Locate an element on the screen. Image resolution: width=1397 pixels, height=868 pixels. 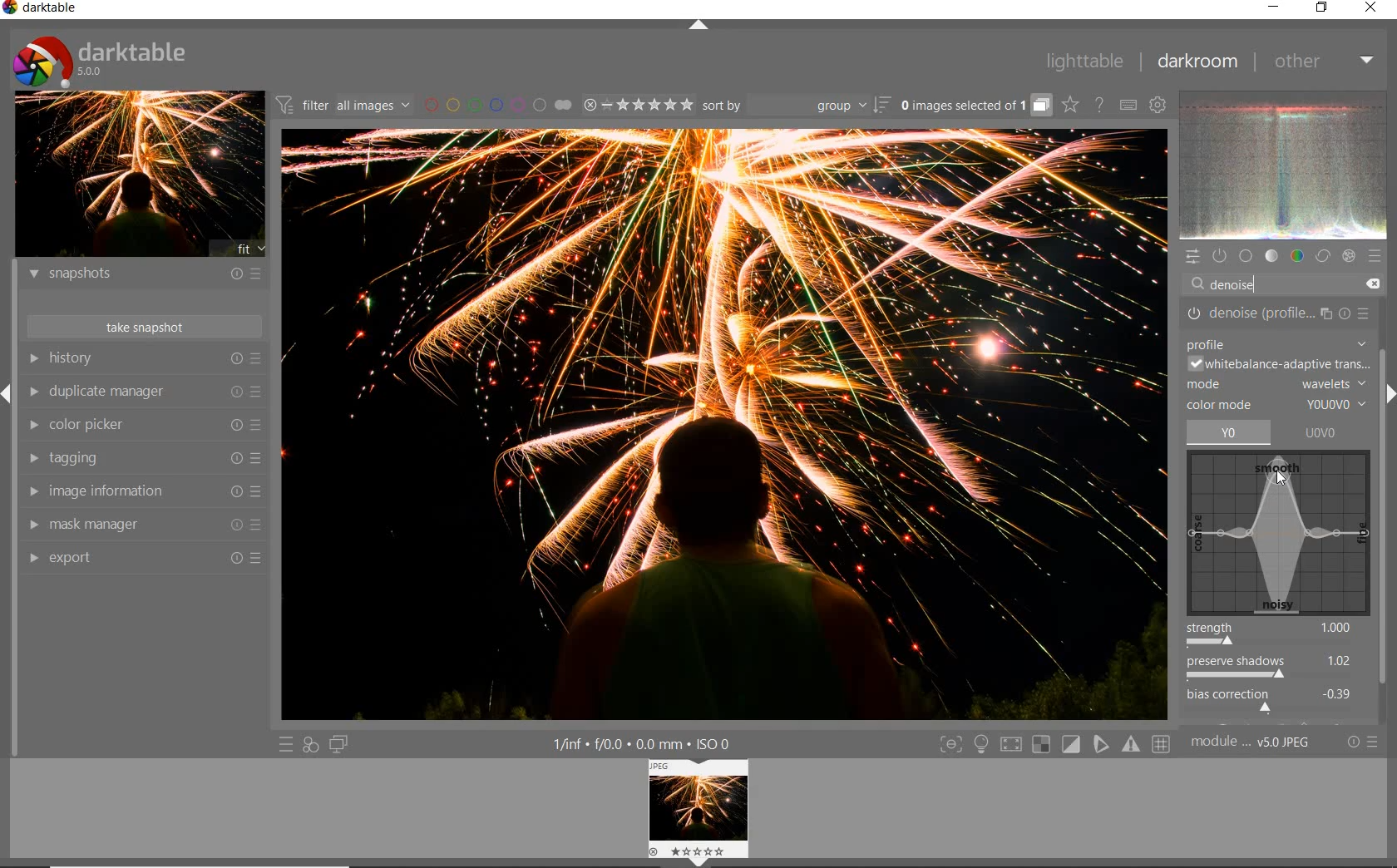
selected image is located at coordinates (724, 423).